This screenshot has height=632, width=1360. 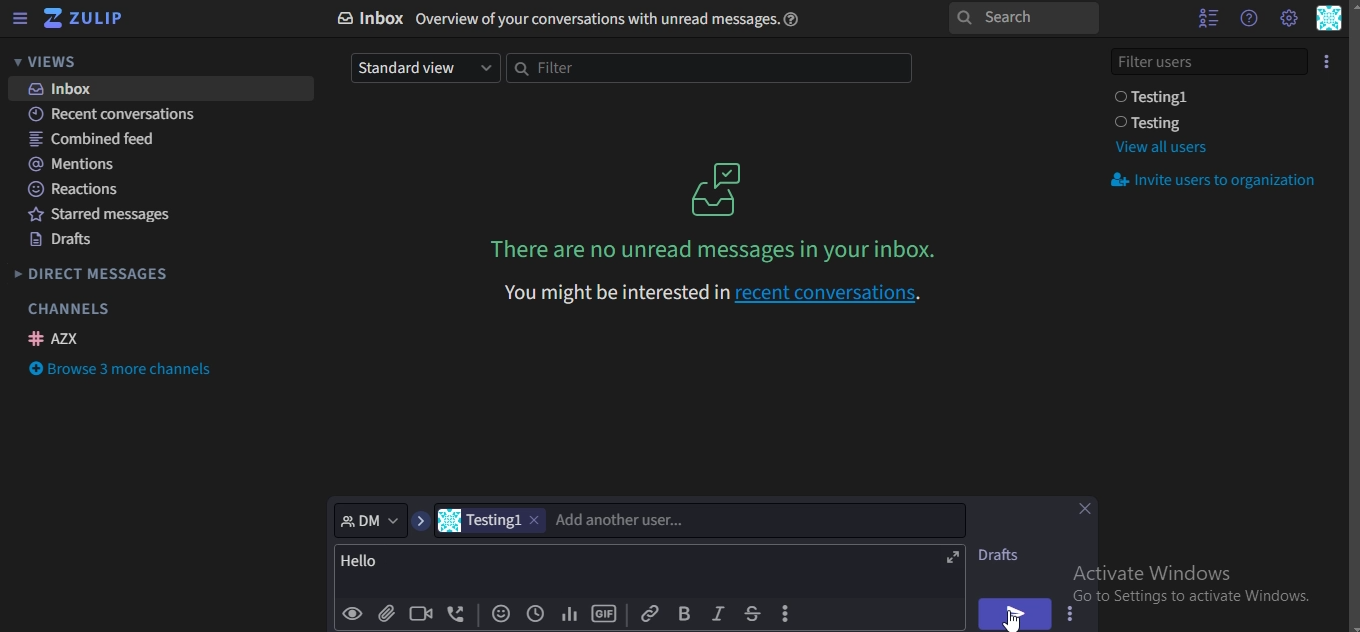 What do you see at coordinates (1153, 123) in the screenshot?
I see `testing` at bounding box center [1153, 123].